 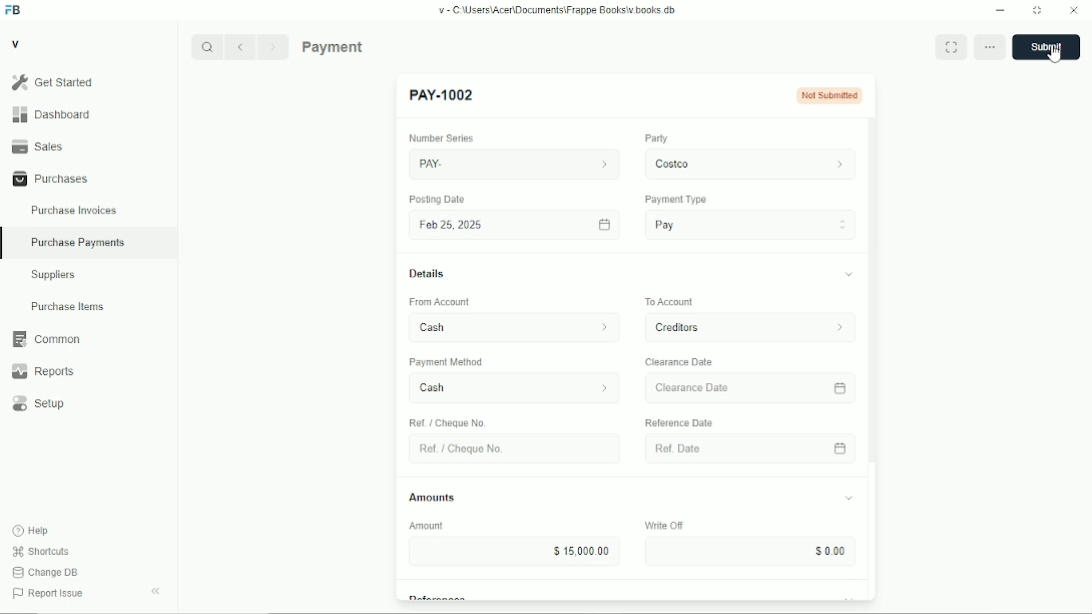 What do you see at coordinates (736, 388) in the screenshot?
I see `Clearance Date` at bounding box center [736, 388].